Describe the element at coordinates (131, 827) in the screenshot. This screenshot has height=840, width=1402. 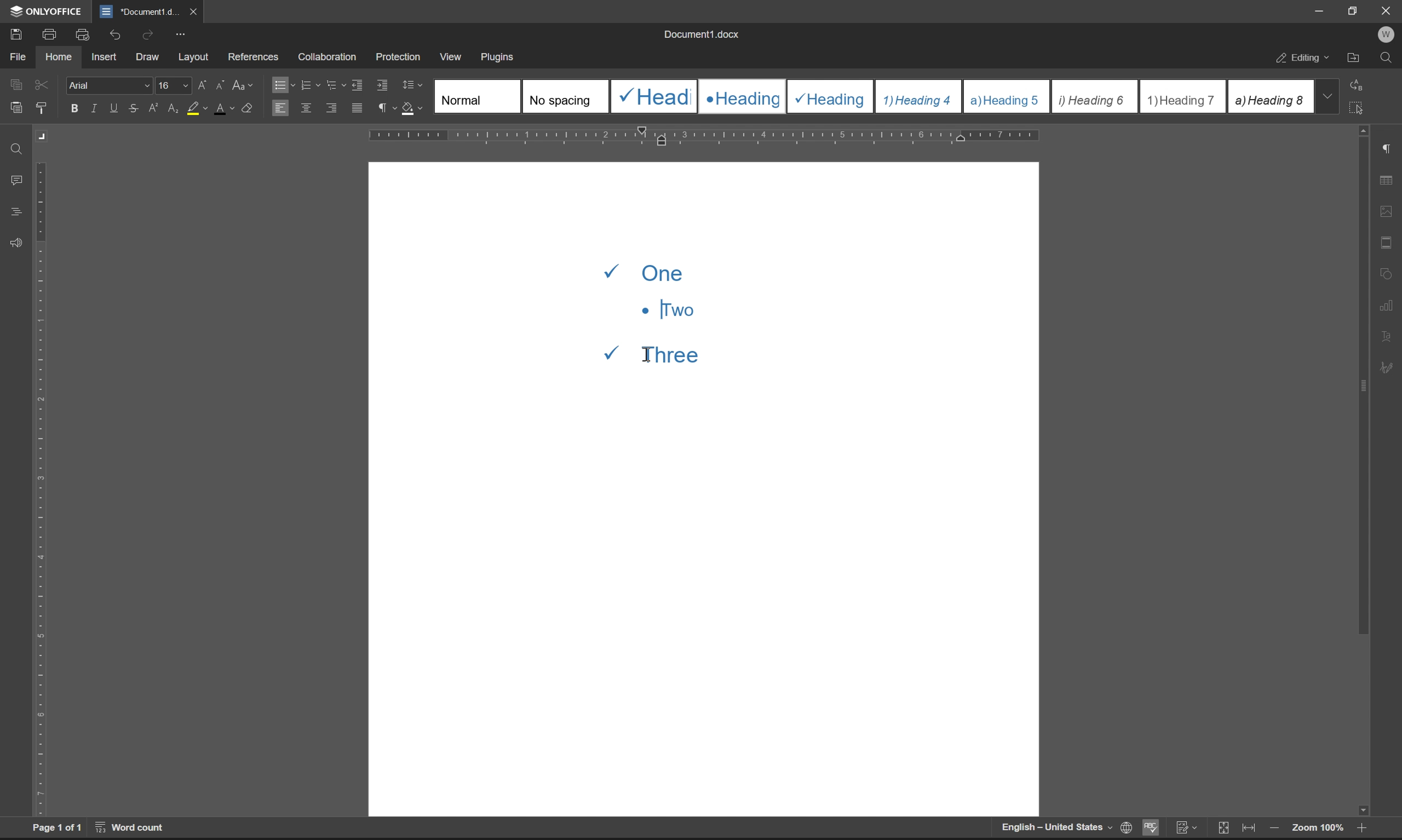
I see `word count` at that location.